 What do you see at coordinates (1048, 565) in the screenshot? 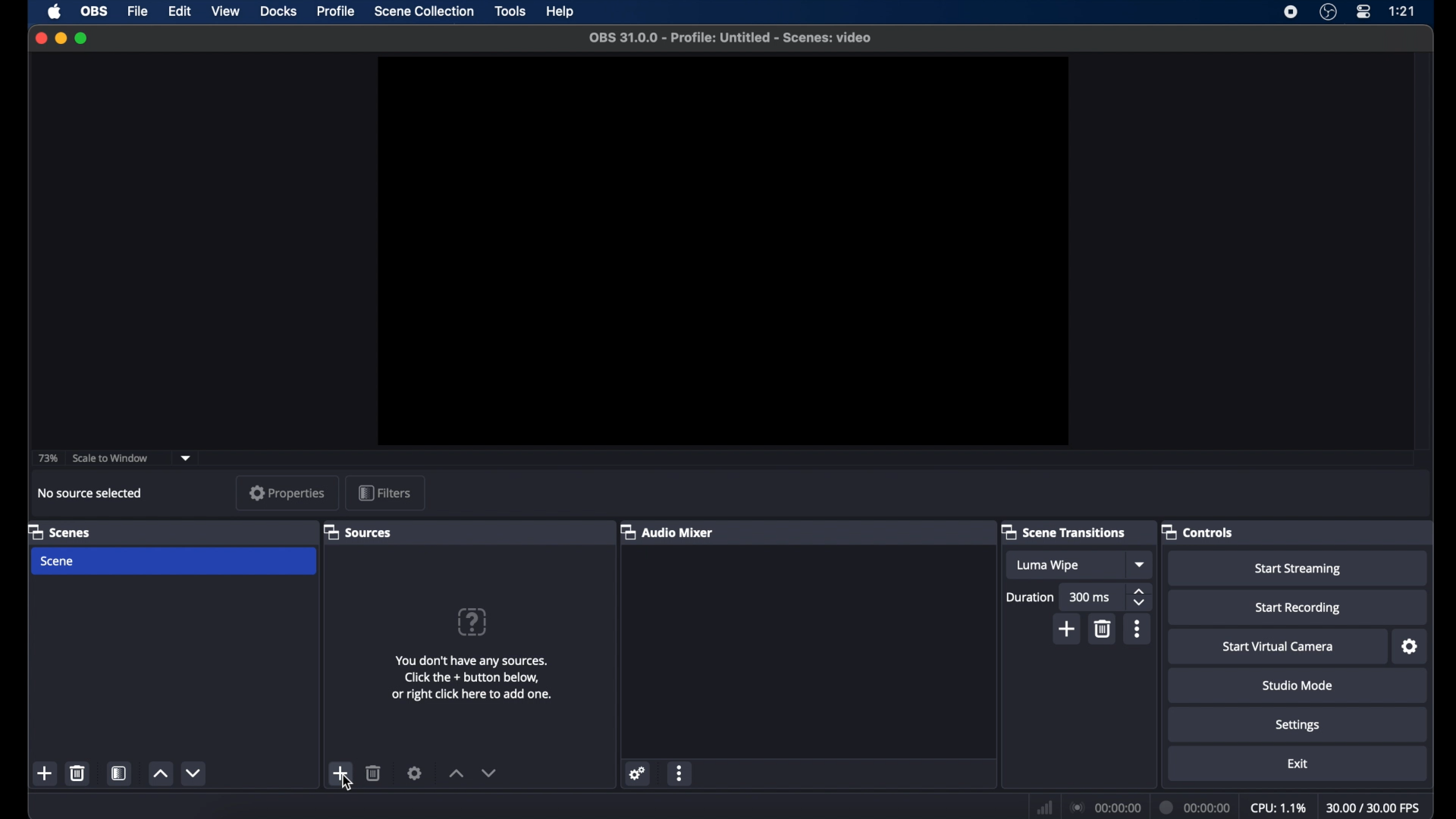
I see `luma wipe` at bounding box center [1048, 565].